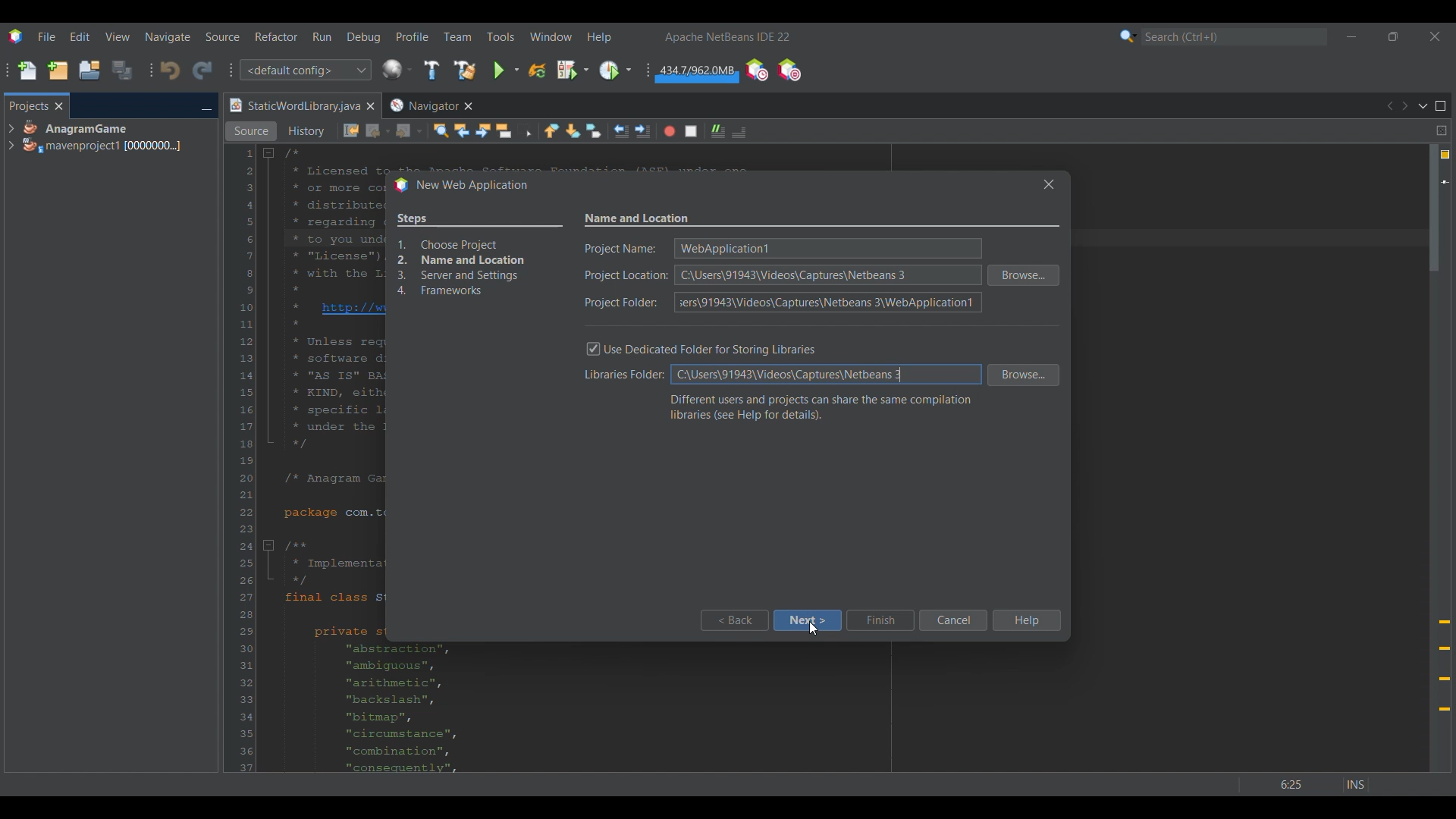 Image resolution: width=1456 pixels, height=819 pixels. Describe the element at coordinates (594, 350) in the screenshot. I see `Toggle on` at that location.